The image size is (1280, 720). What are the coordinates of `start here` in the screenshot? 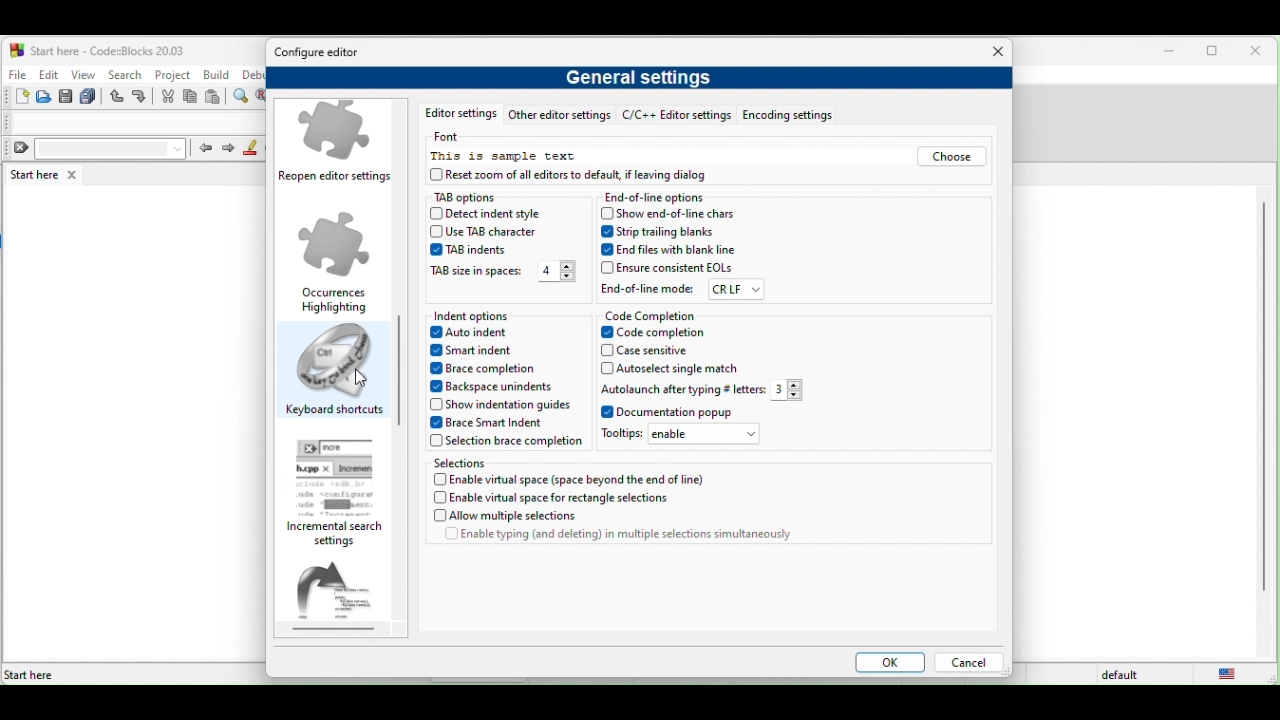 It's located at (47, 174).